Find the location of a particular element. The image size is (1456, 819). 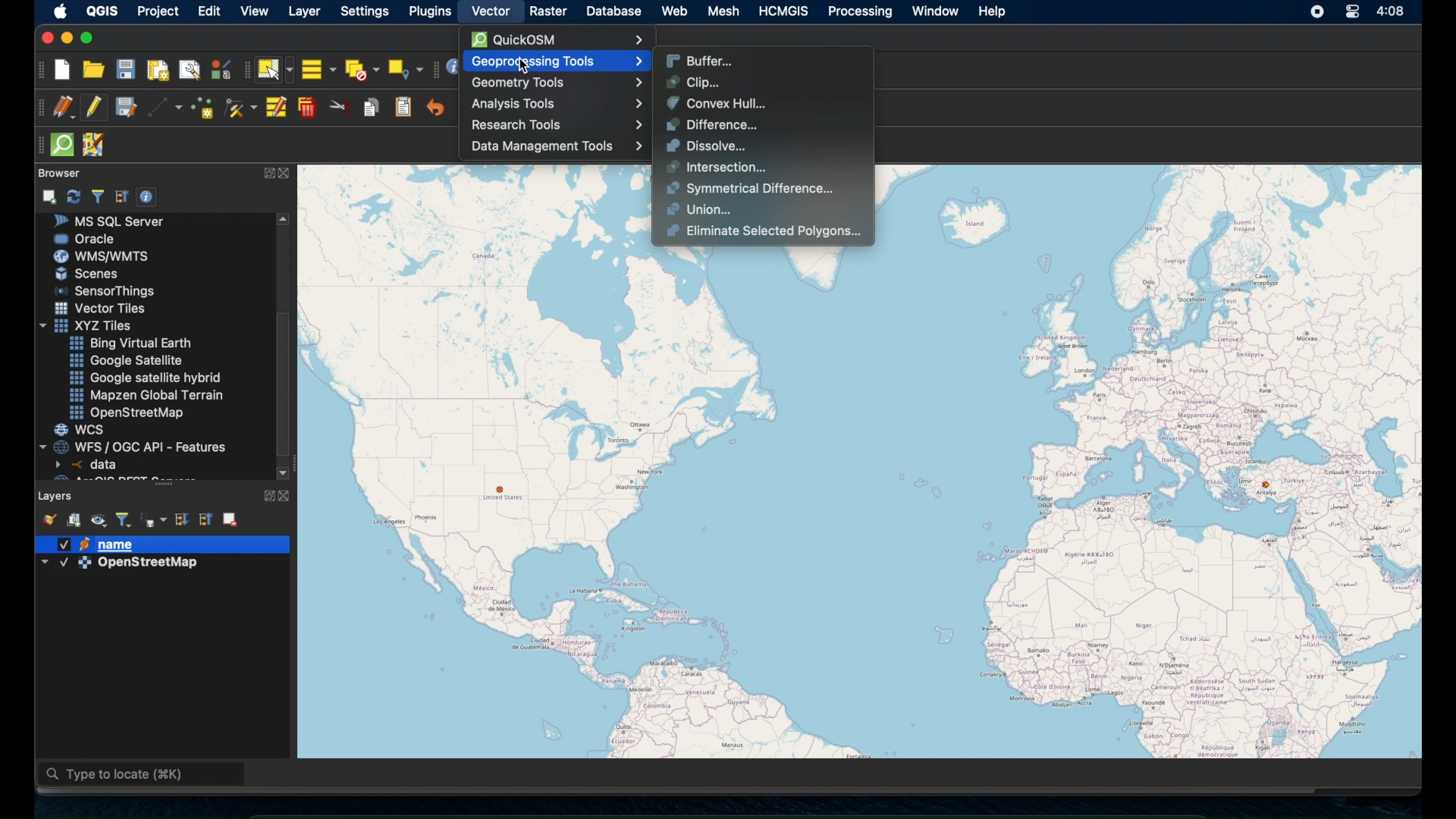

Geometry Tools is located at coordinates (557, 81).